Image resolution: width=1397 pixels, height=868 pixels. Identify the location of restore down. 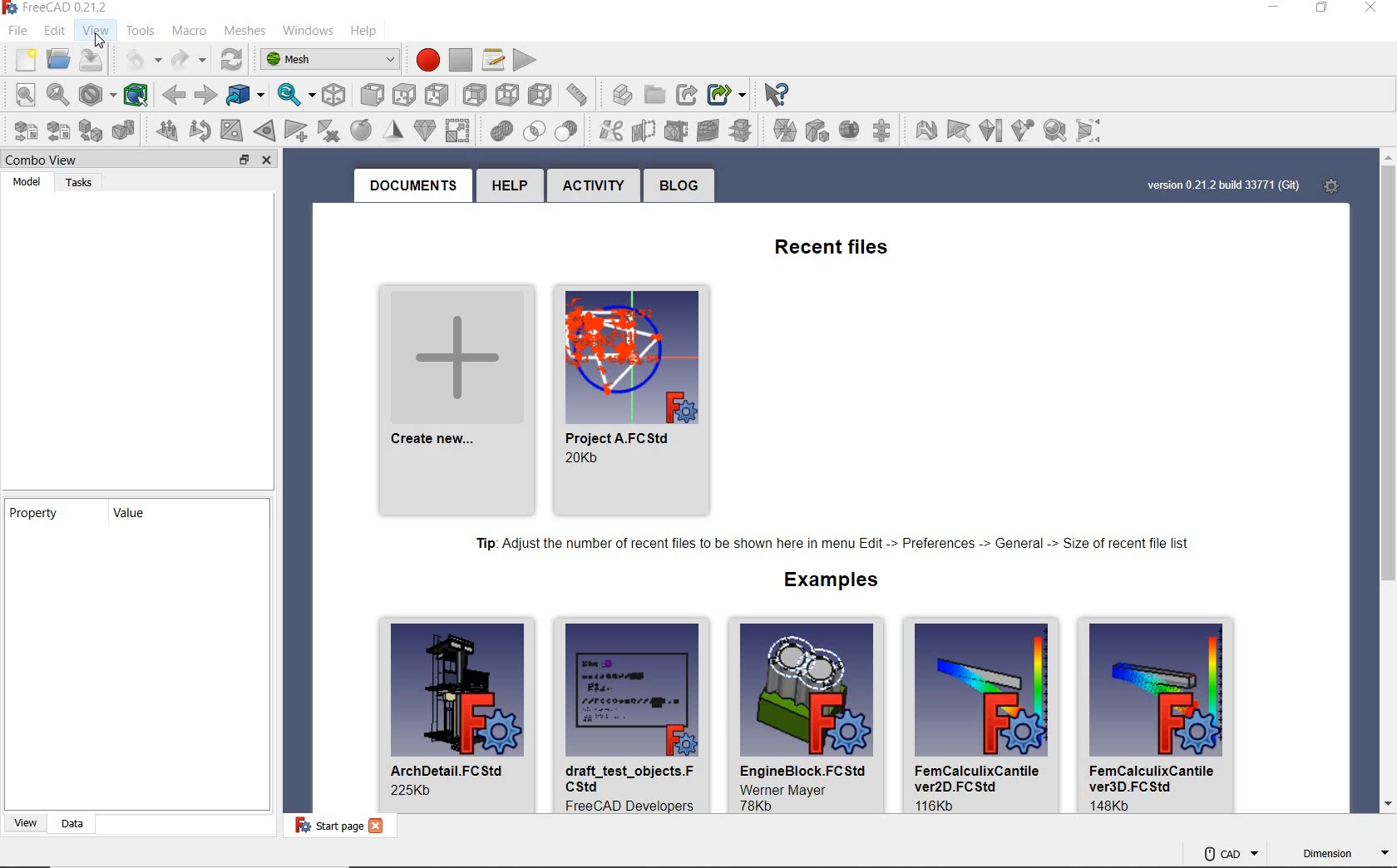
(240, 160).